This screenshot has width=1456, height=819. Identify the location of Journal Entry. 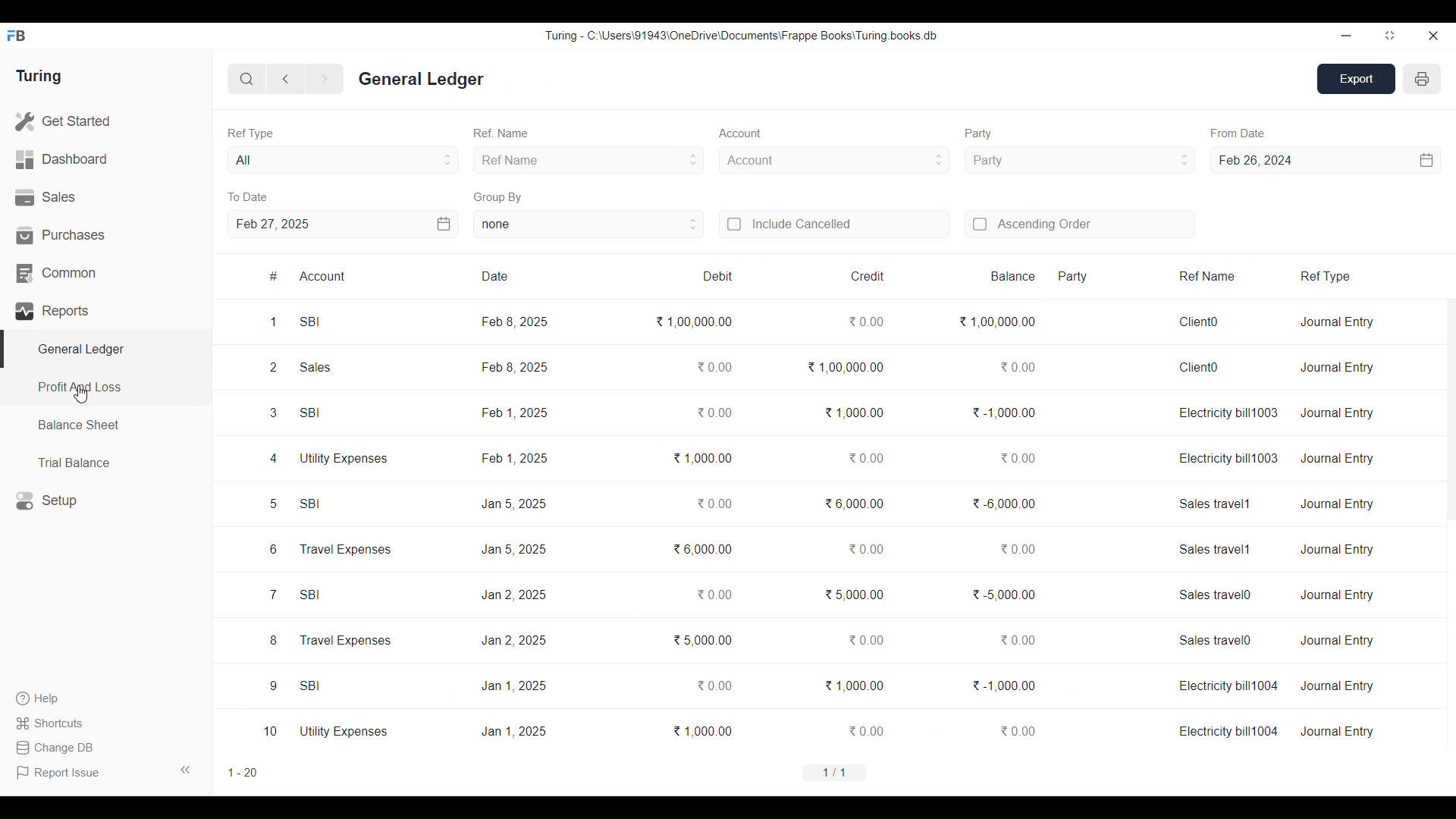
(1337, 550).